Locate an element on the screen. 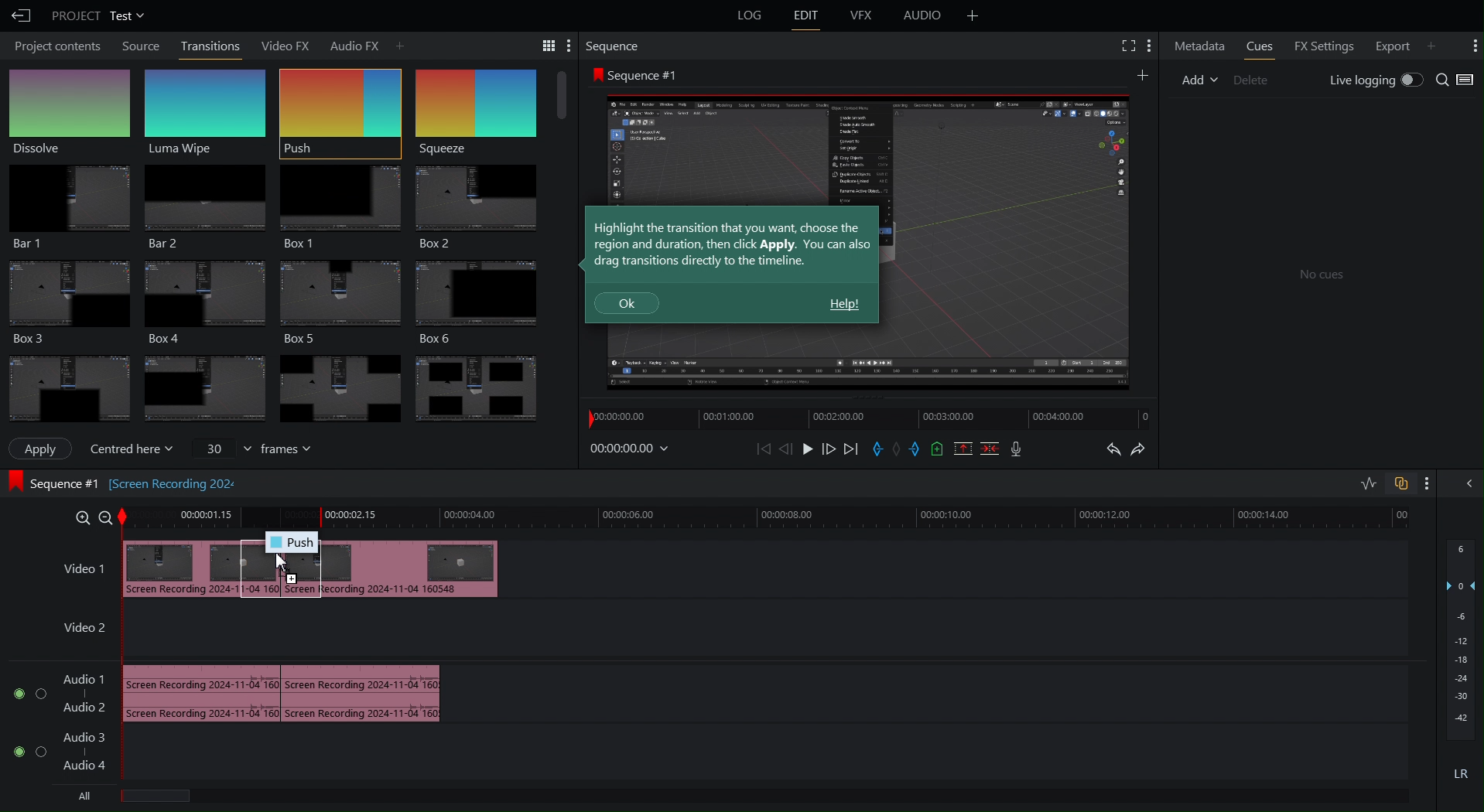  Transitions is located at coordinates (211, 45).